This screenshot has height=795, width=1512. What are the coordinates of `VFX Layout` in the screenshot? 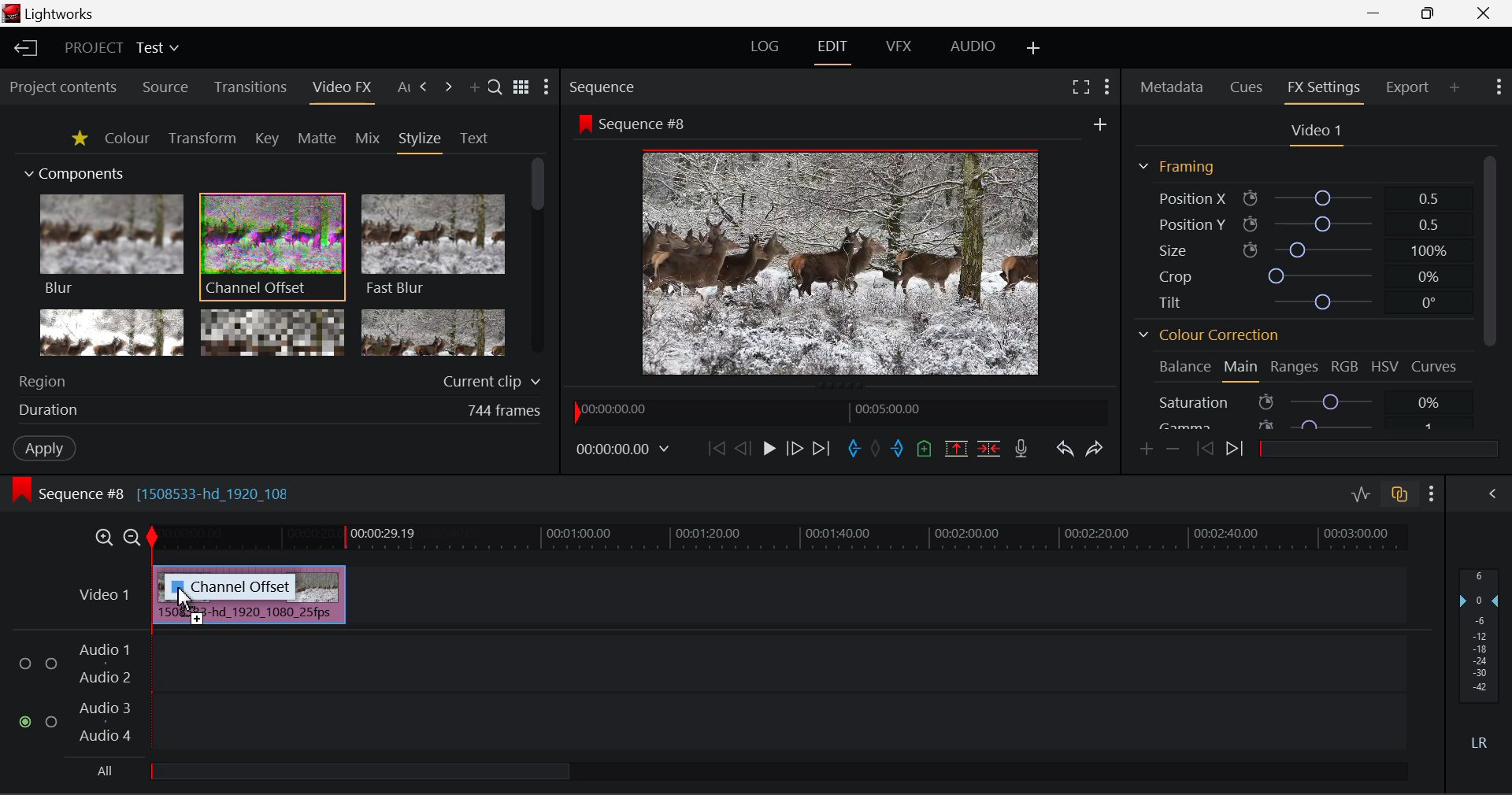 It's located at (899, 50).